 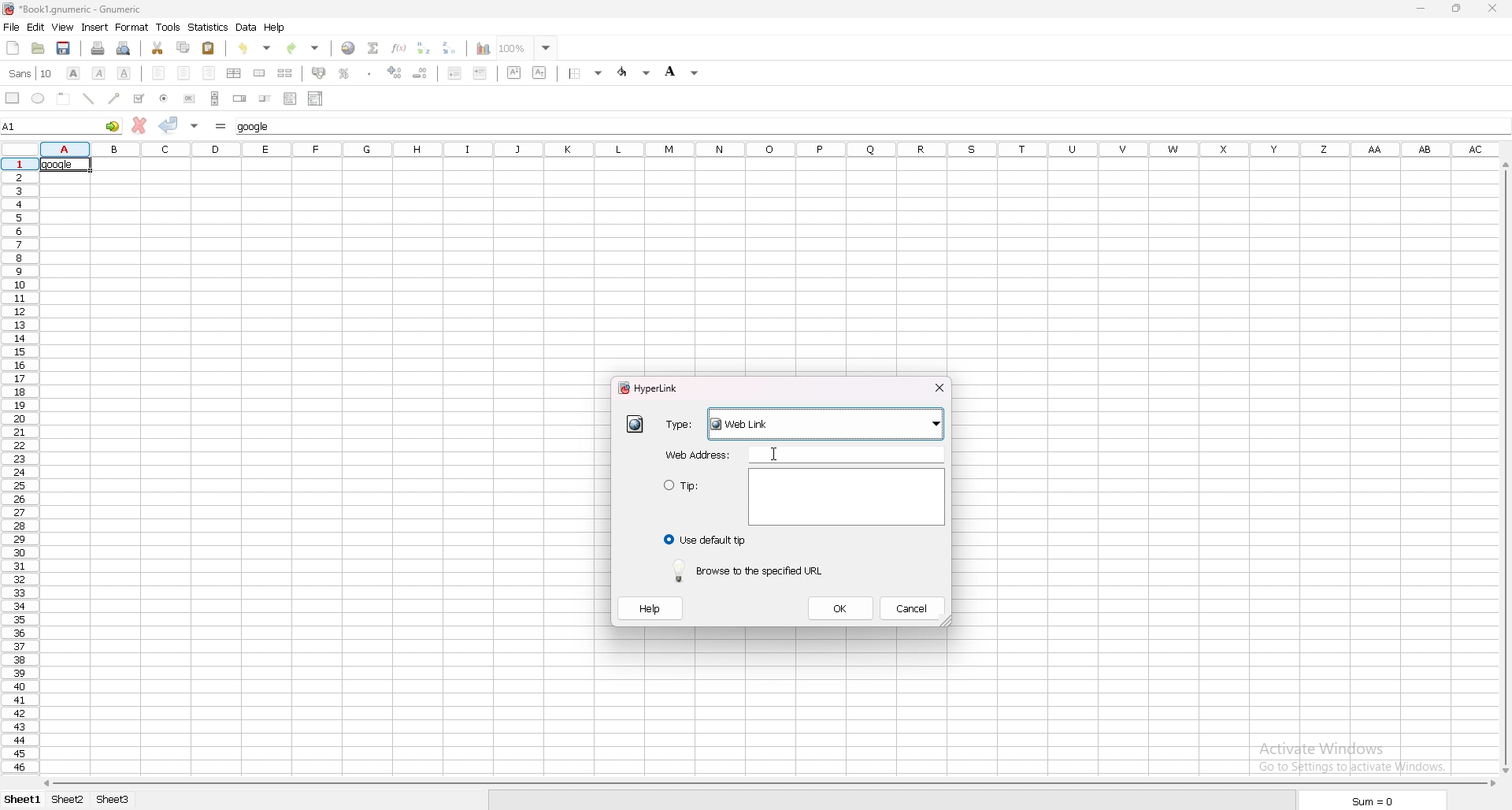 I want to click on selected cell, so click(x=64, y=165).